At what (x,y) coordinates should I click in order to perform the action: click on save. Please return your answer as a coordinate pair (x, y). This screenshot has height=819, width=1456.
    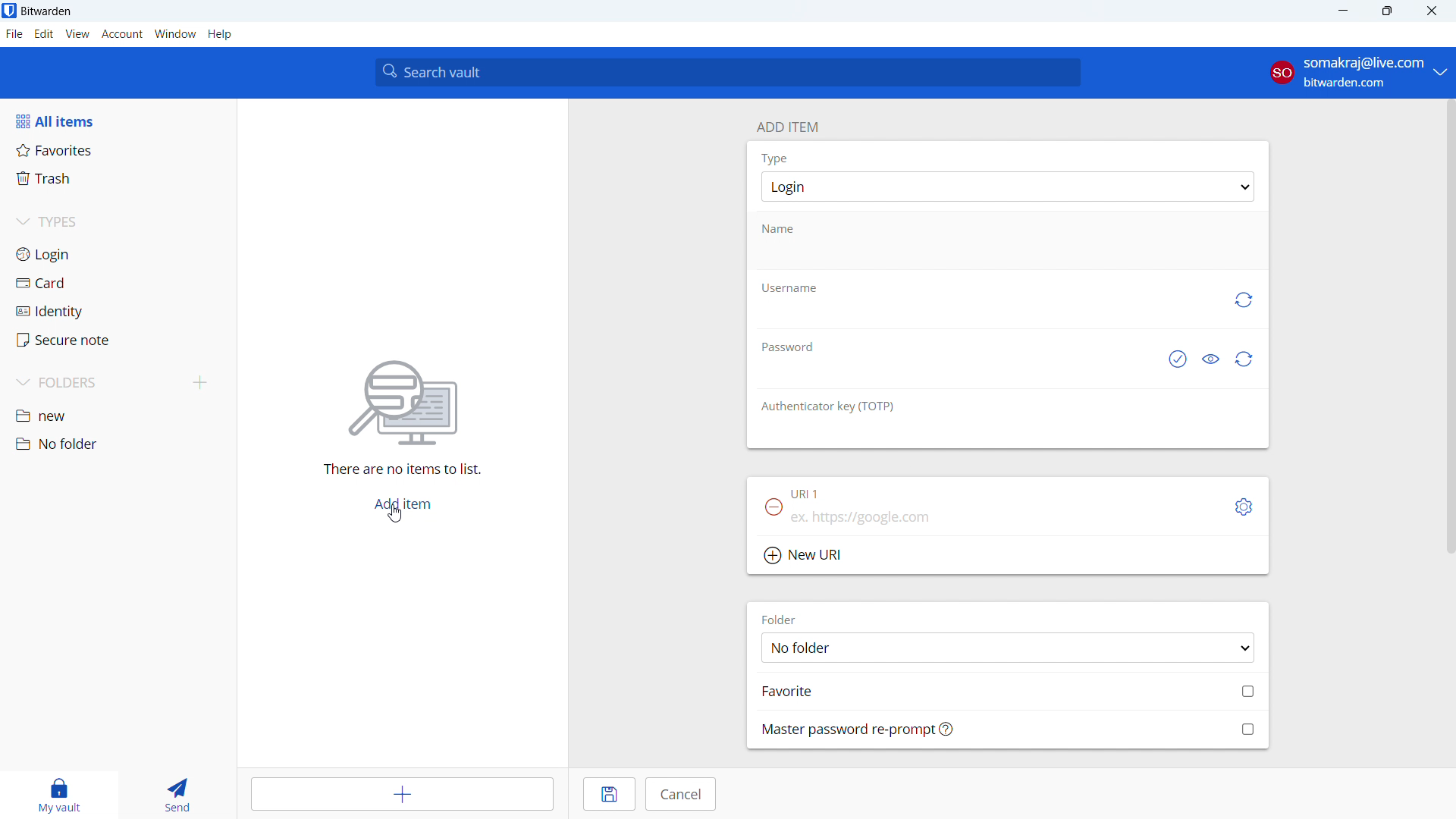
    Looking at the image, I should click on (610, 794).